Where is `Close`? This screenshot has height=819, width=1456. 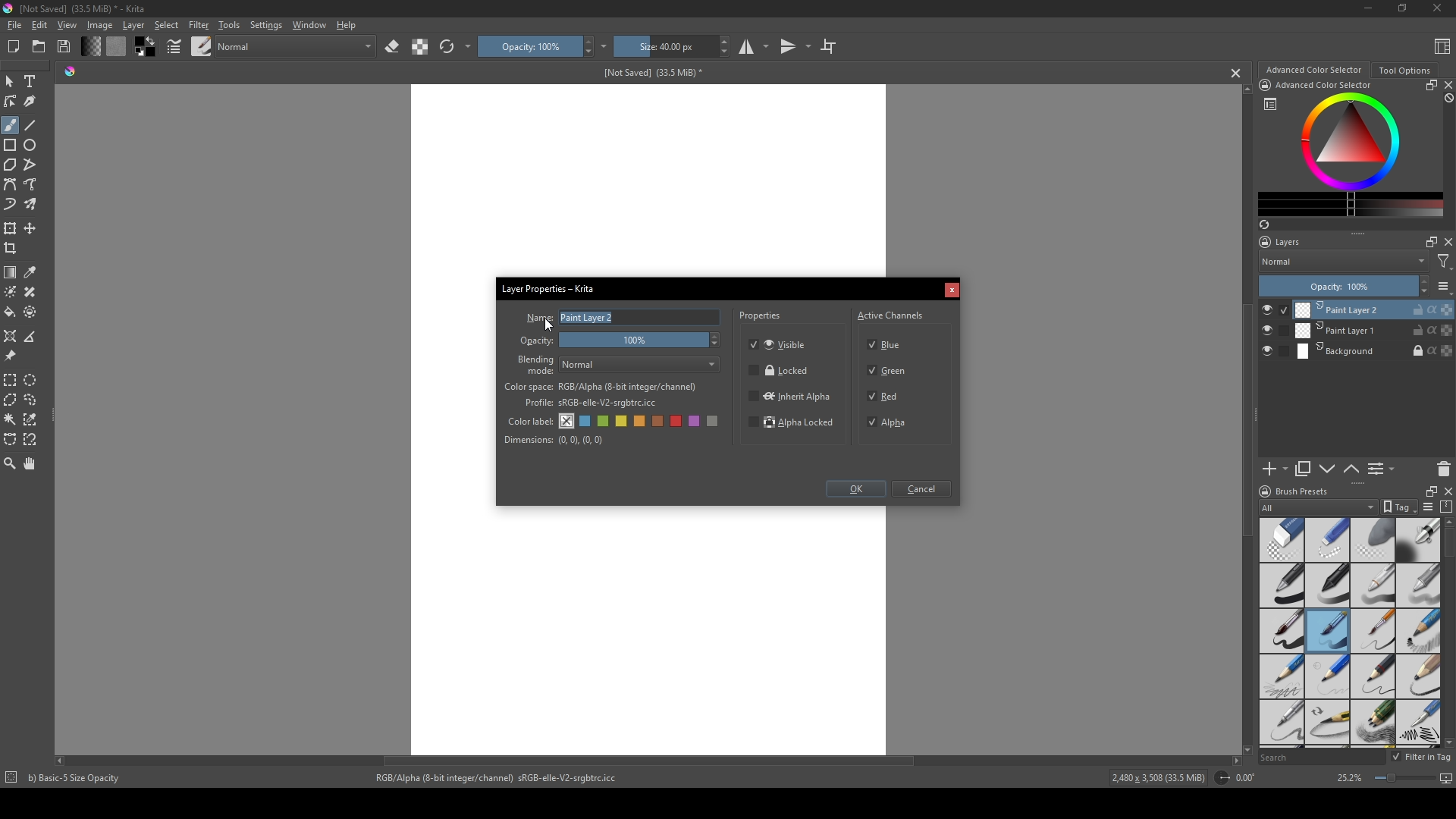 Close is located at coordinates (1434, 9).